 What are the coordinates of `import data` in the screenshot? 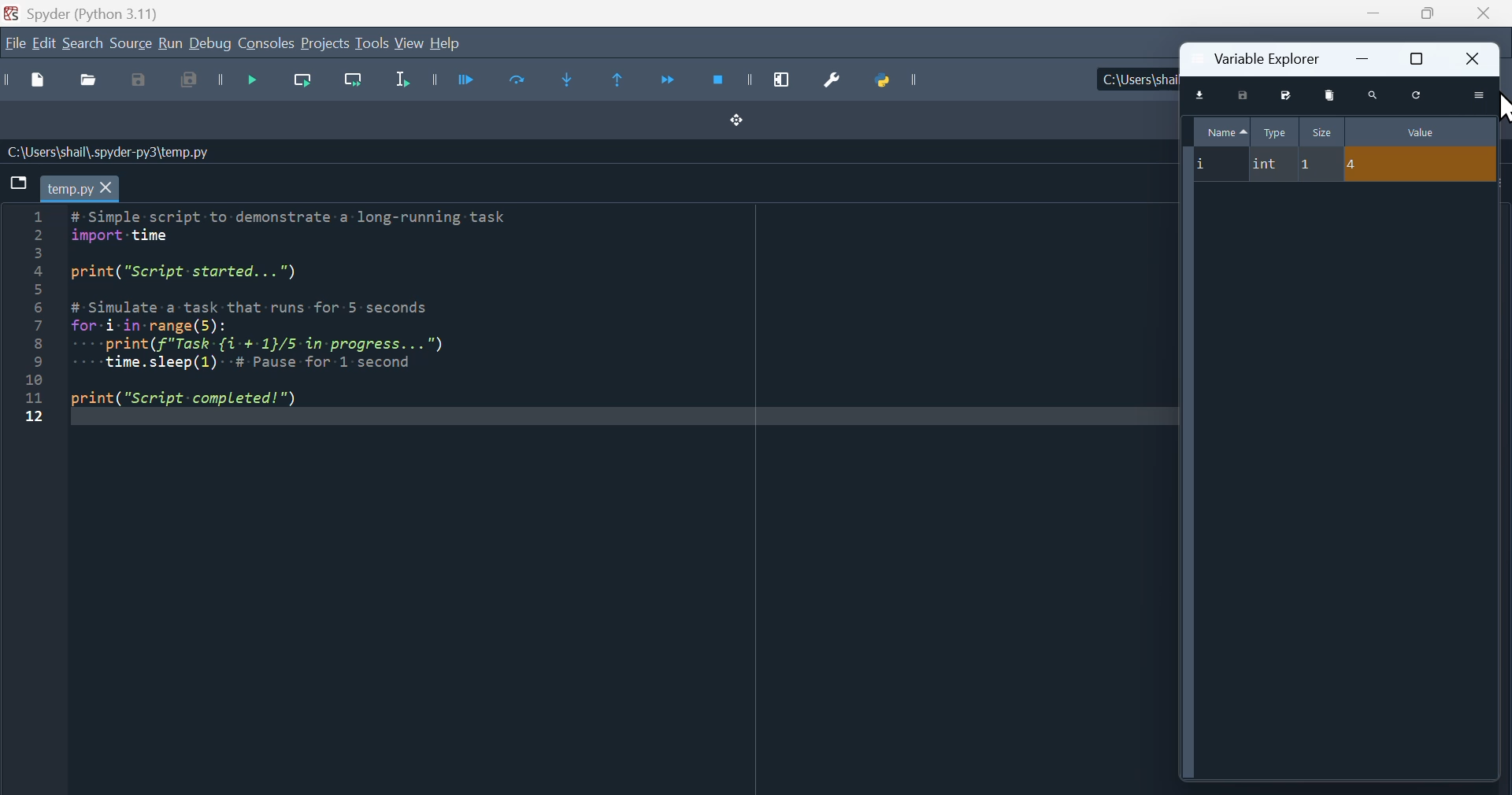 It's located at (1203, 96).